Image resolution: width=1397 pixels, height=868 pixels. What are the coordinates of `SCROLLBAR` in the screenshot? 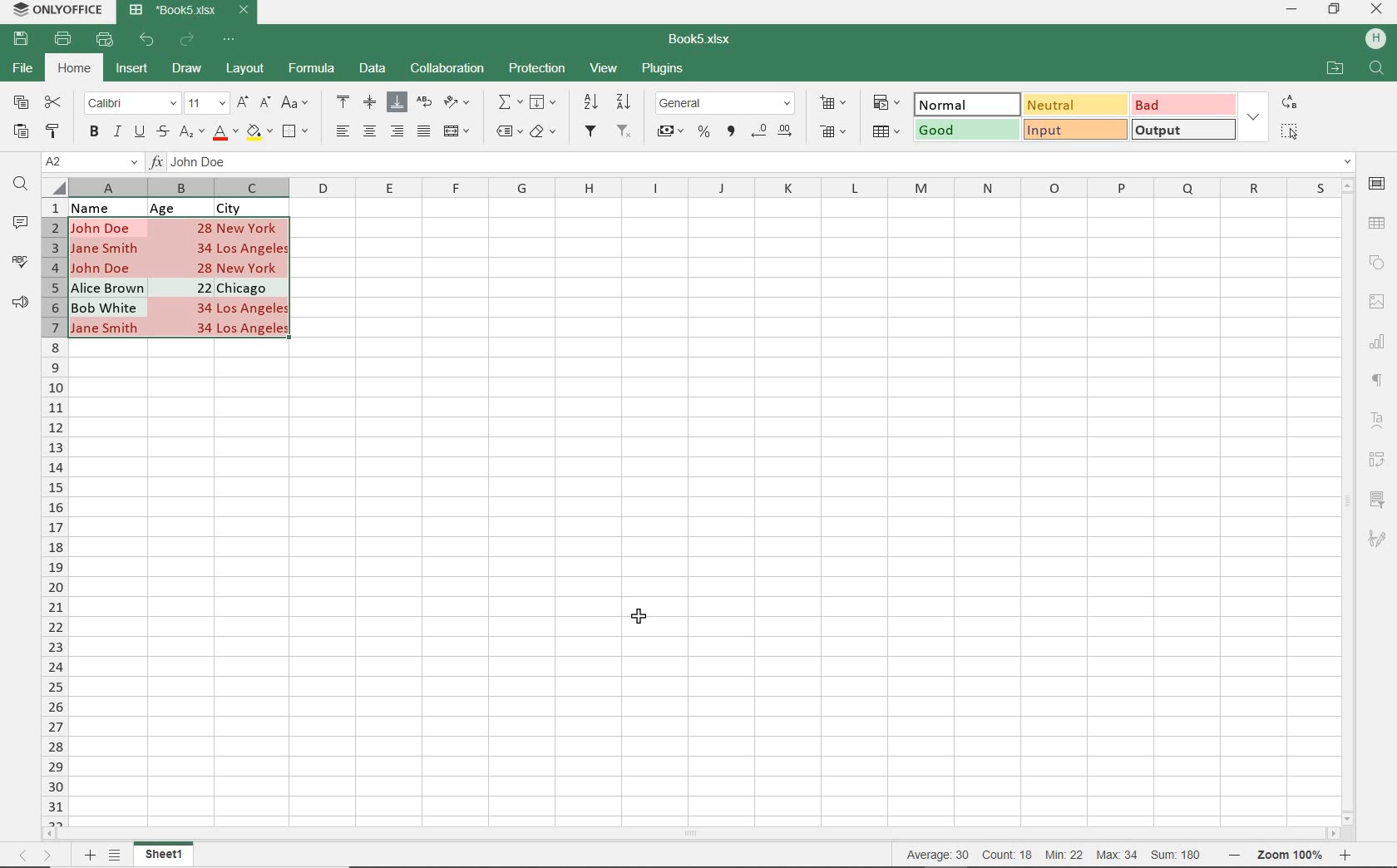 It's located at (696, 835).